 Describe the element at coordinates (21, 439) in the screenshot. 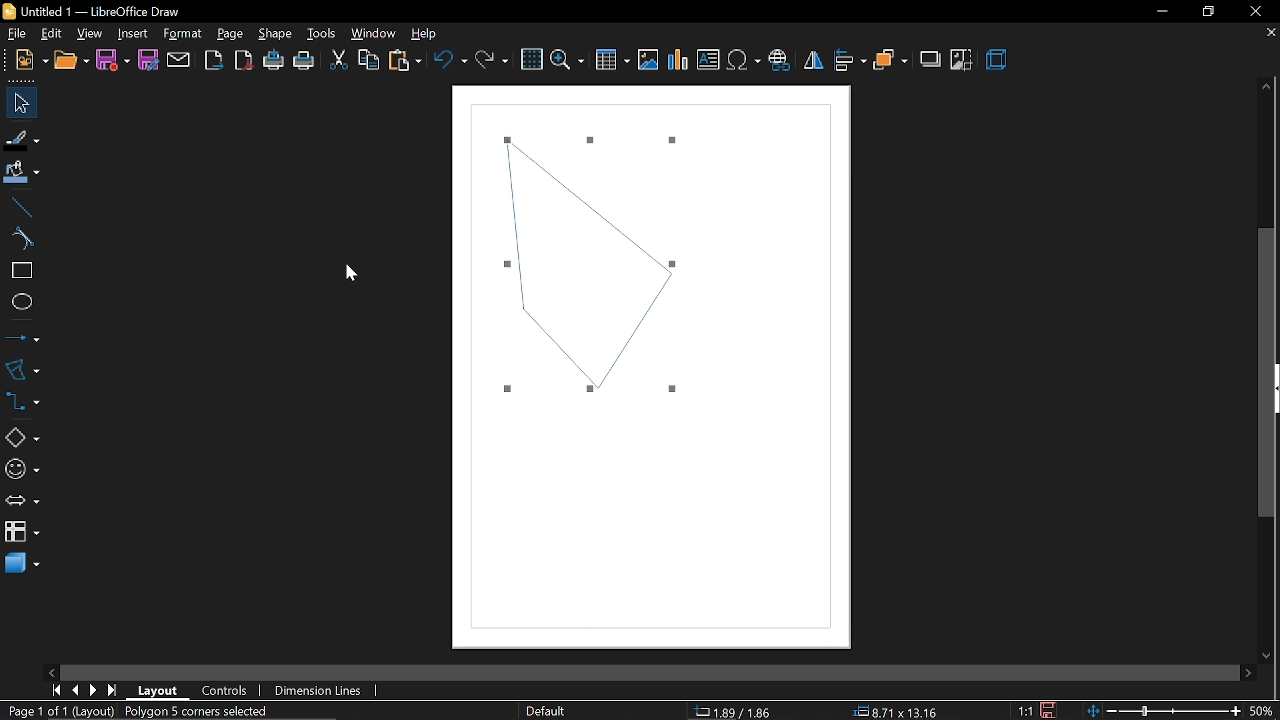

I see `basic shapes` at that location.